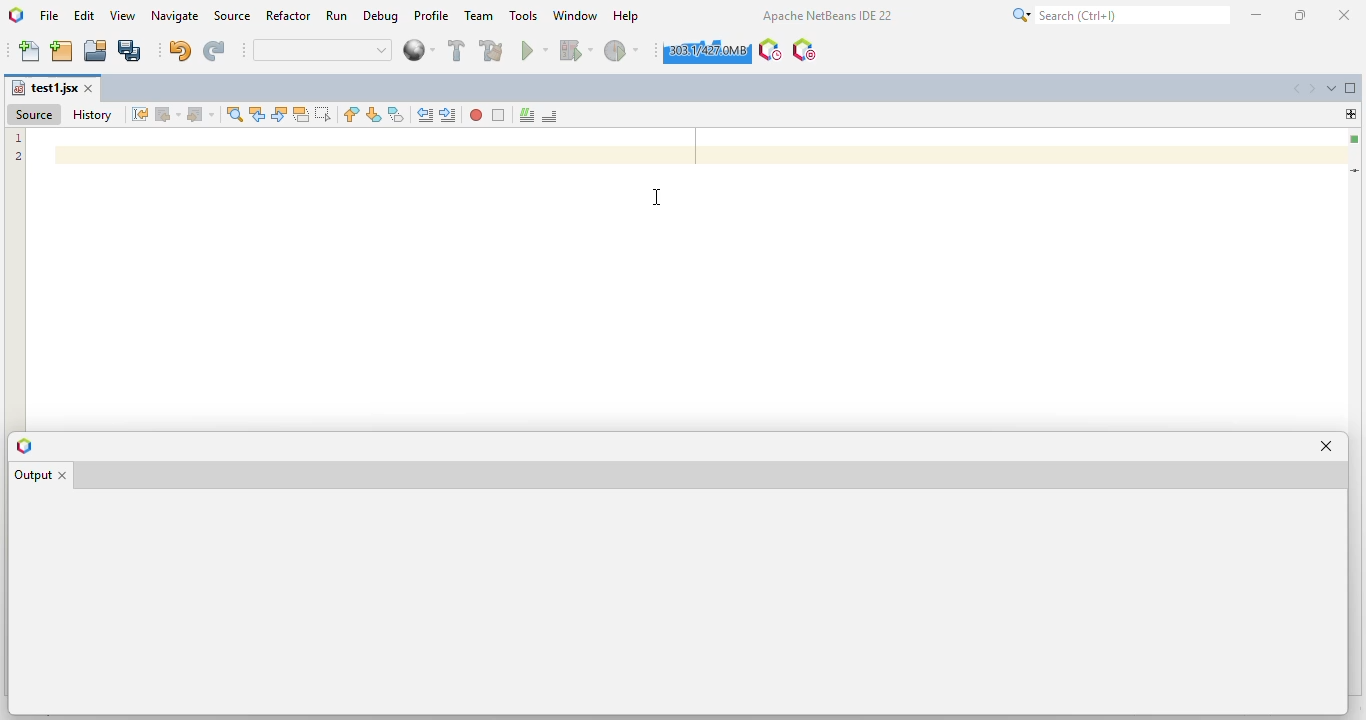 This screenshot has height=720, width=1366. I want to click on new file, so click(30, 51).